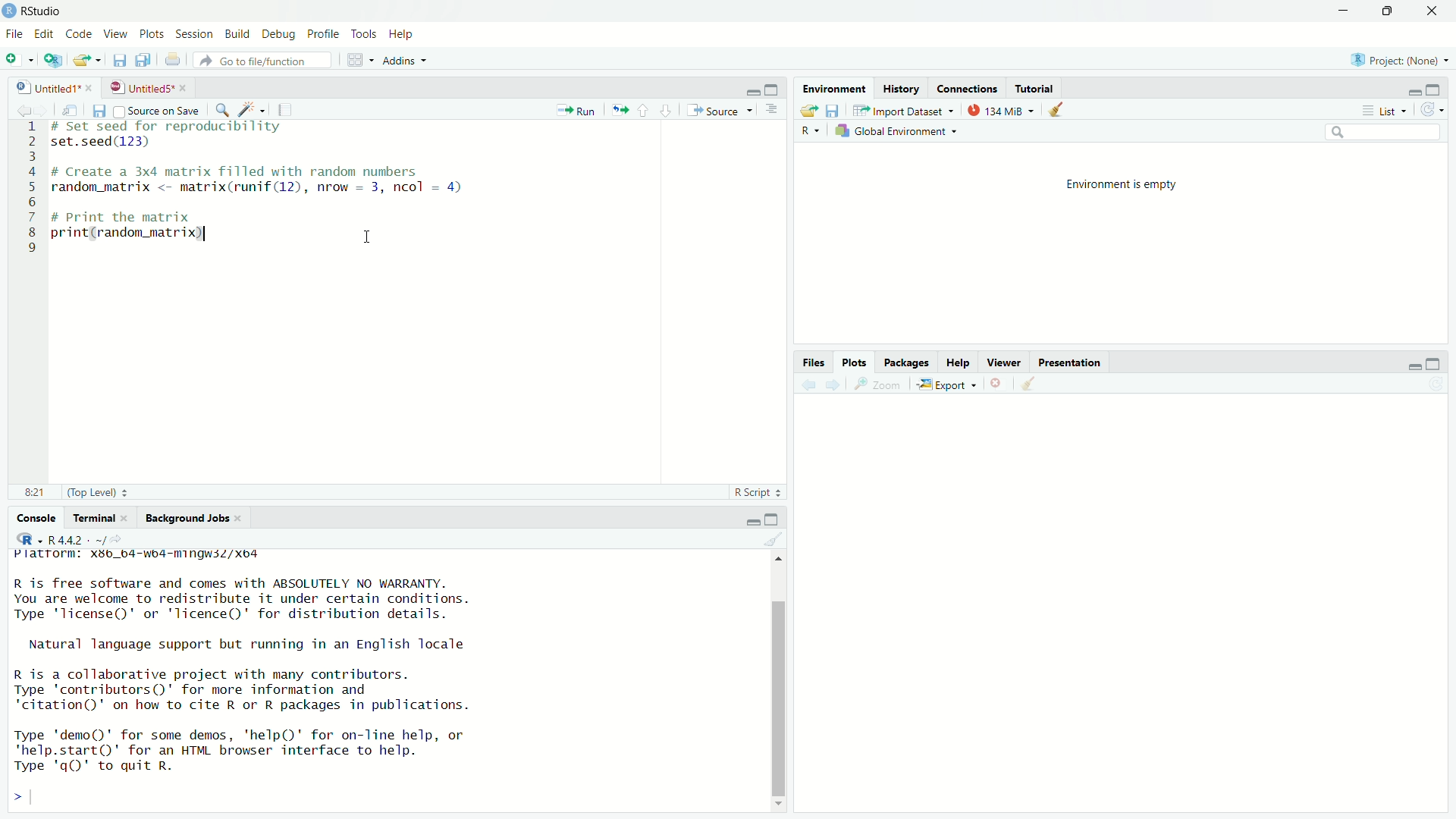 The width and height of the screenshot is (1456, 819). Describe the element at coordinates (908, 365) in the screenshot. I see `Packages` at that location.